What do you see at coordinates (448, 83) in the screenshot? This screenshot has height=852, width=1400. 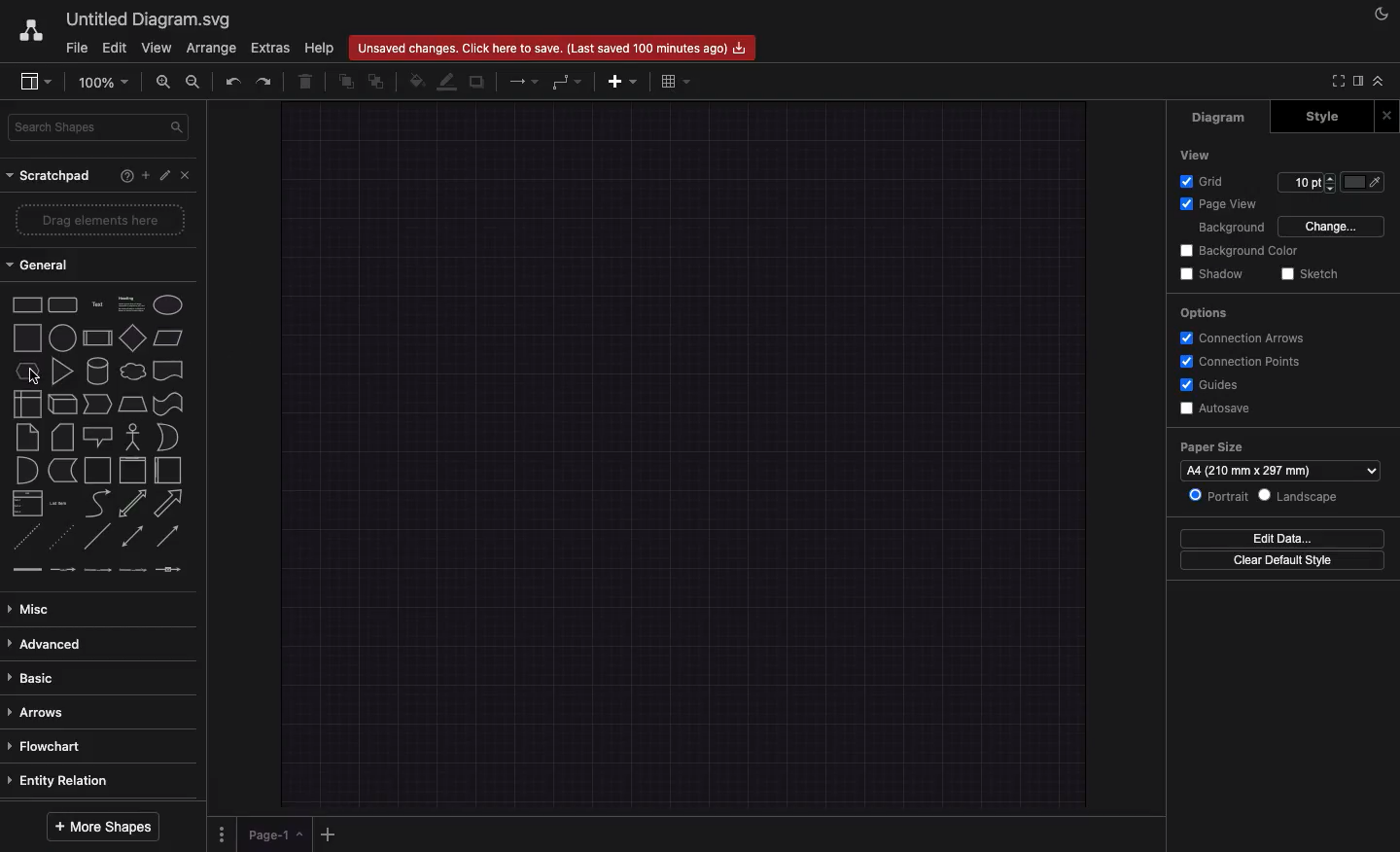 I see `Line color` at bounding box center [448, 83].